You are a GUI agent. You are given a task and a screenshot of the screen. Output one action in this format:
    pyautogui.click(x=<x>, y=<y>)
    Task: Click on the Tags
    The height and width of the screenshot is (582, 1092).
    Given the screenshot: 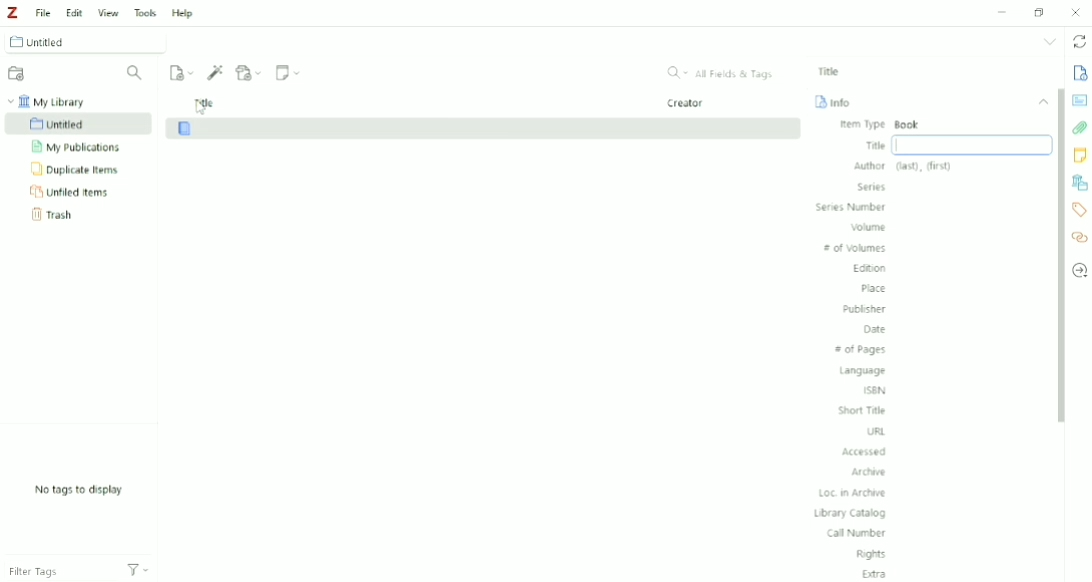 What is the action you would take?
    pyautogui.click(x=1080, y=210)
    